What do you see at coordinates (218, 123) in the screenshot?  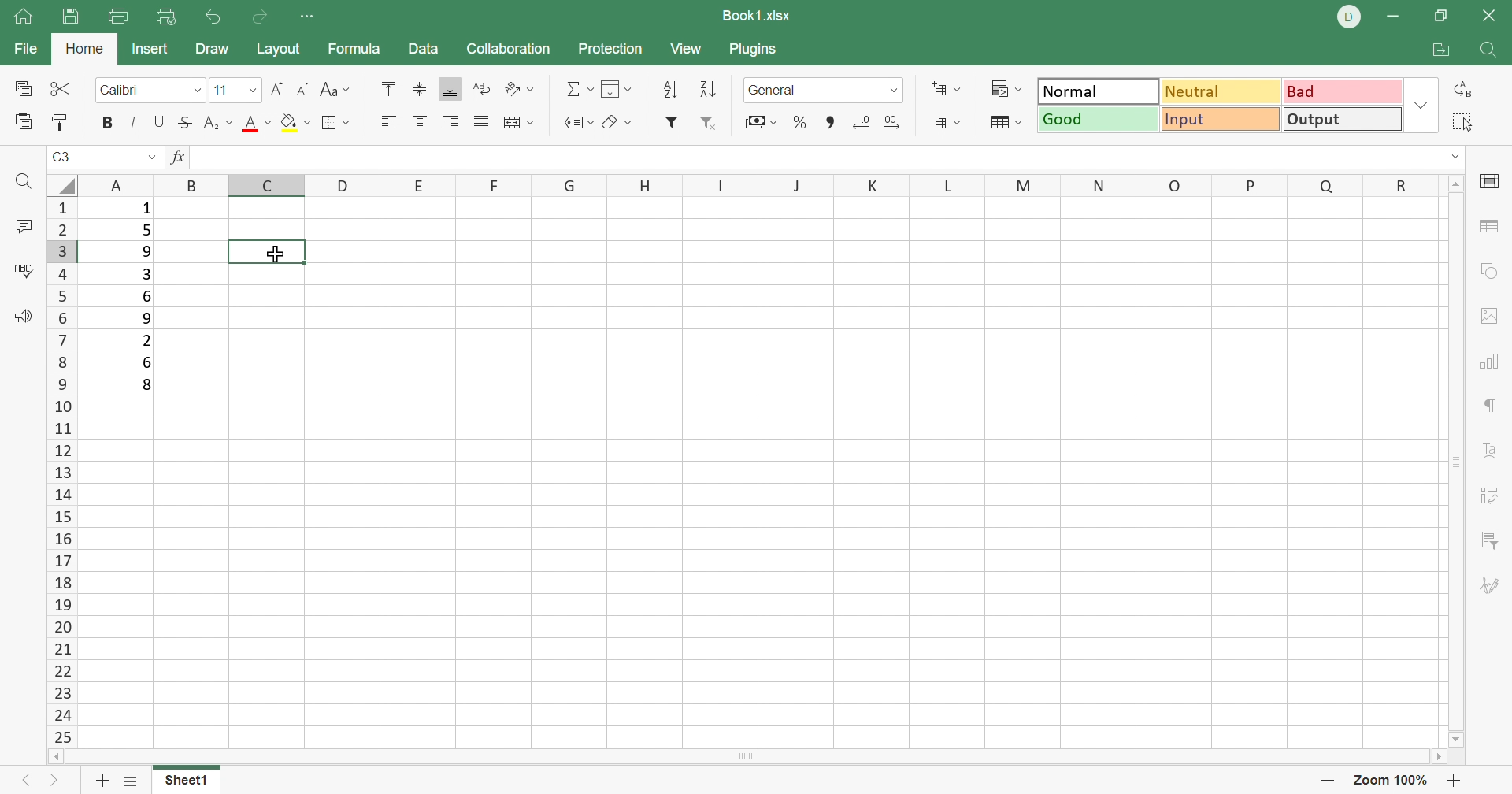 I see `Superscript / subscript` at bounding box center [218, 123].